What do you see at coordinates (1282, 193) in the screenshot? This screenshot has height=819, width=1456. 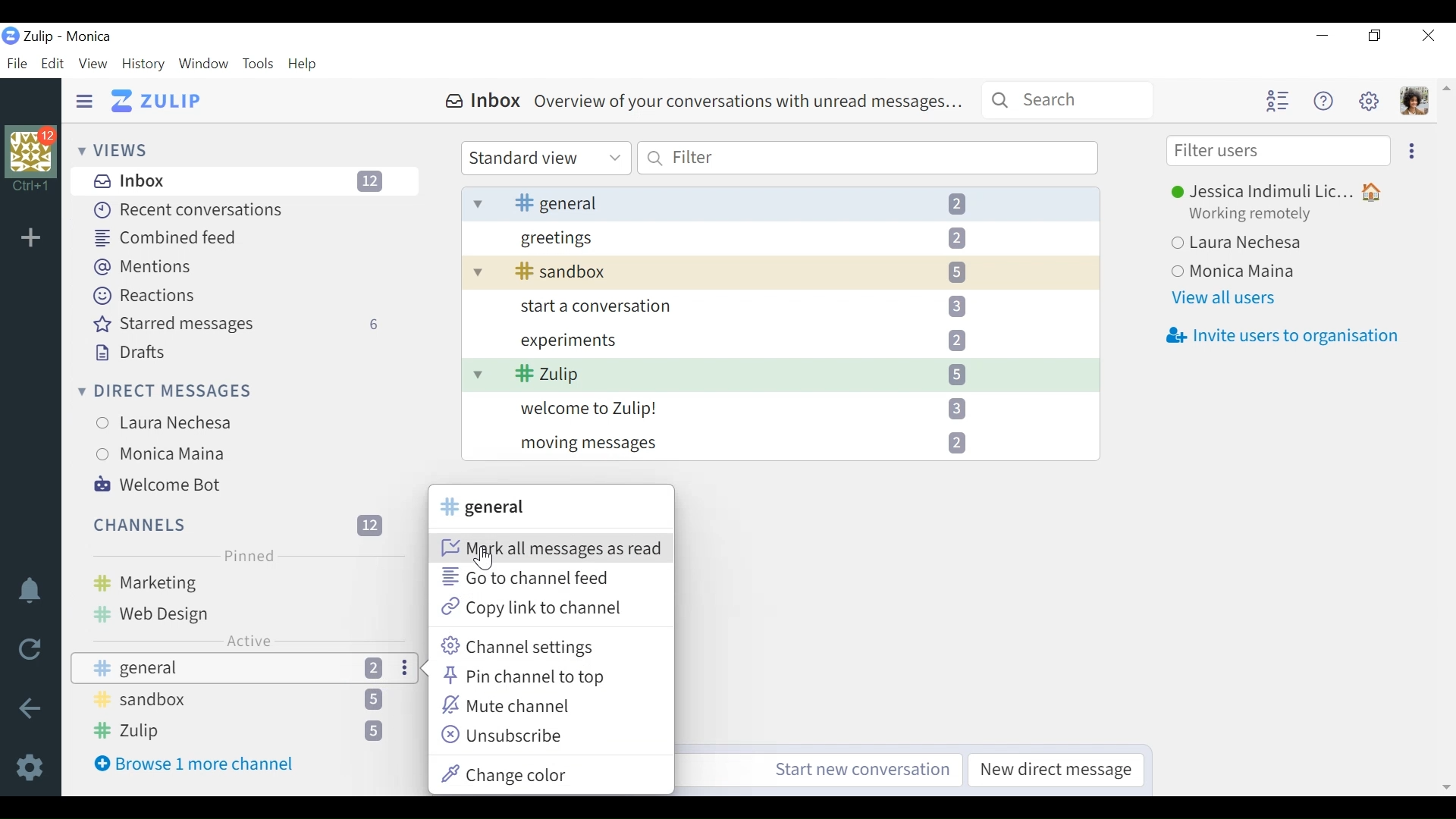 I see `Jessica Indimuli Lic...` at bounding box center [1282, 193].